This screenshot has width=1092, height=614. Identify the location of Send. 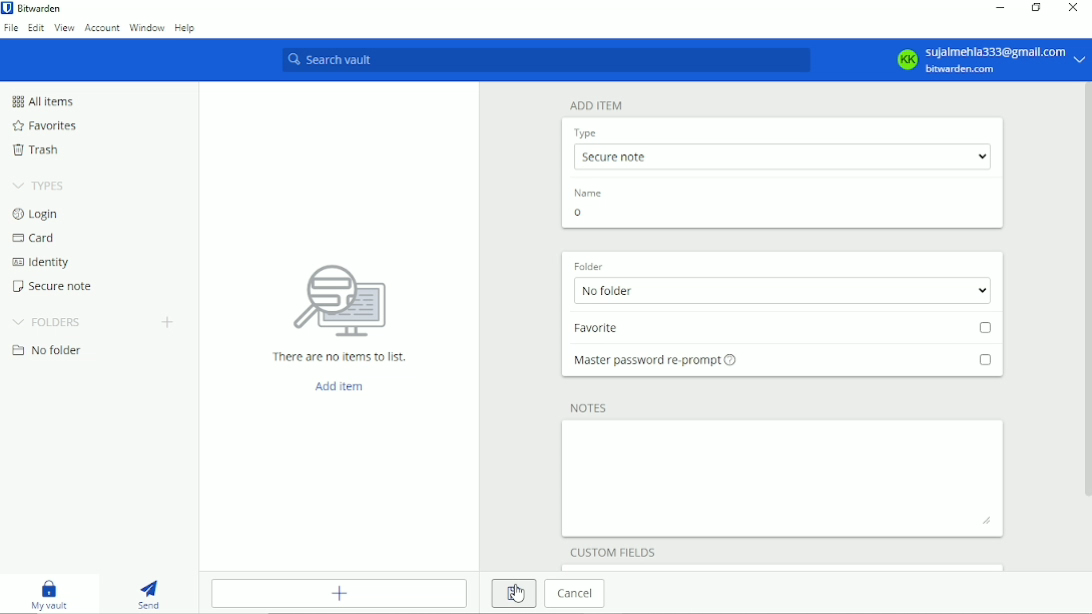
(150, 593).